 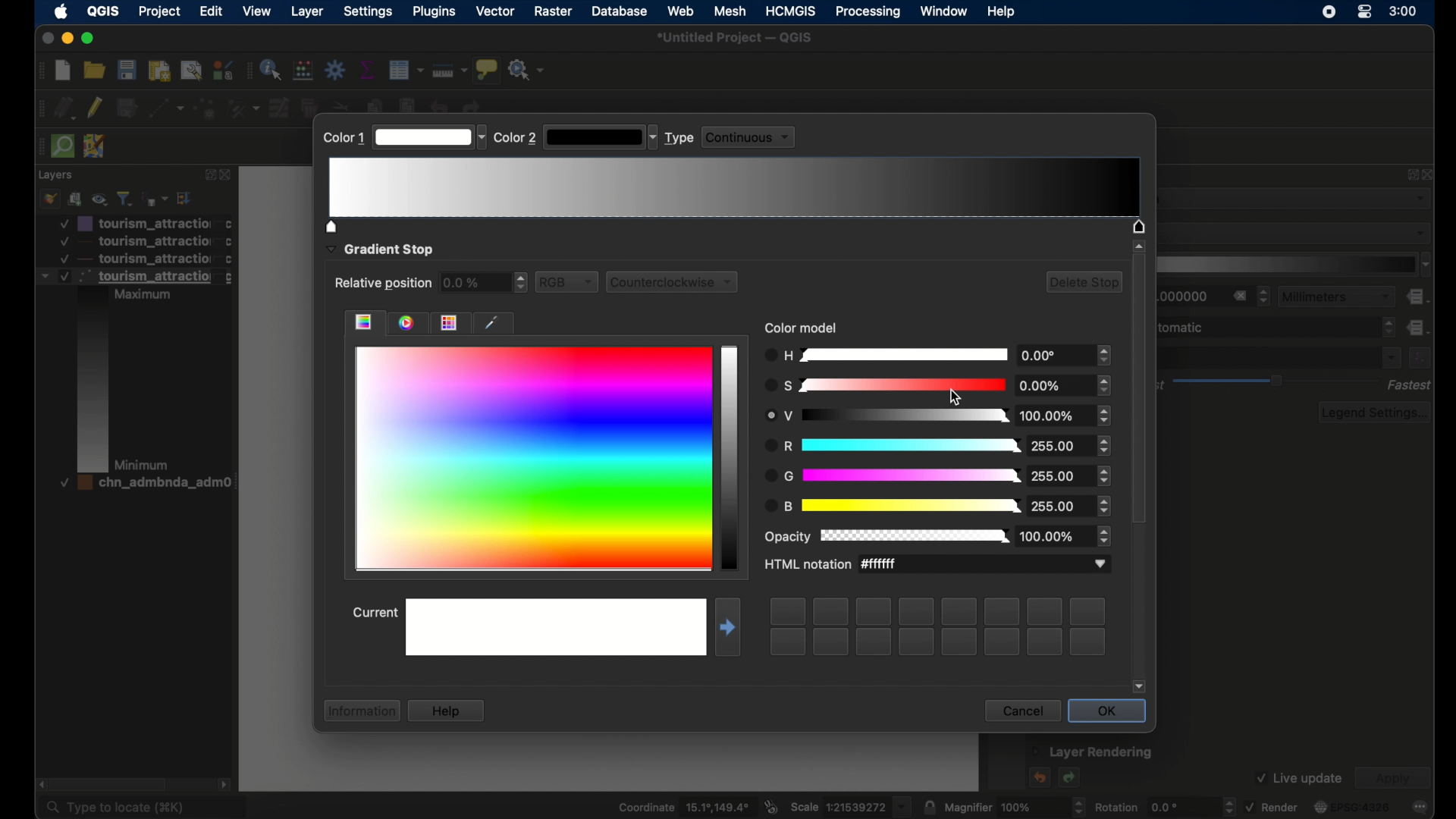 What do you see at coordinates (206, 107) in the screenshot?
I see `add point features` at bounding box center [206, 107].